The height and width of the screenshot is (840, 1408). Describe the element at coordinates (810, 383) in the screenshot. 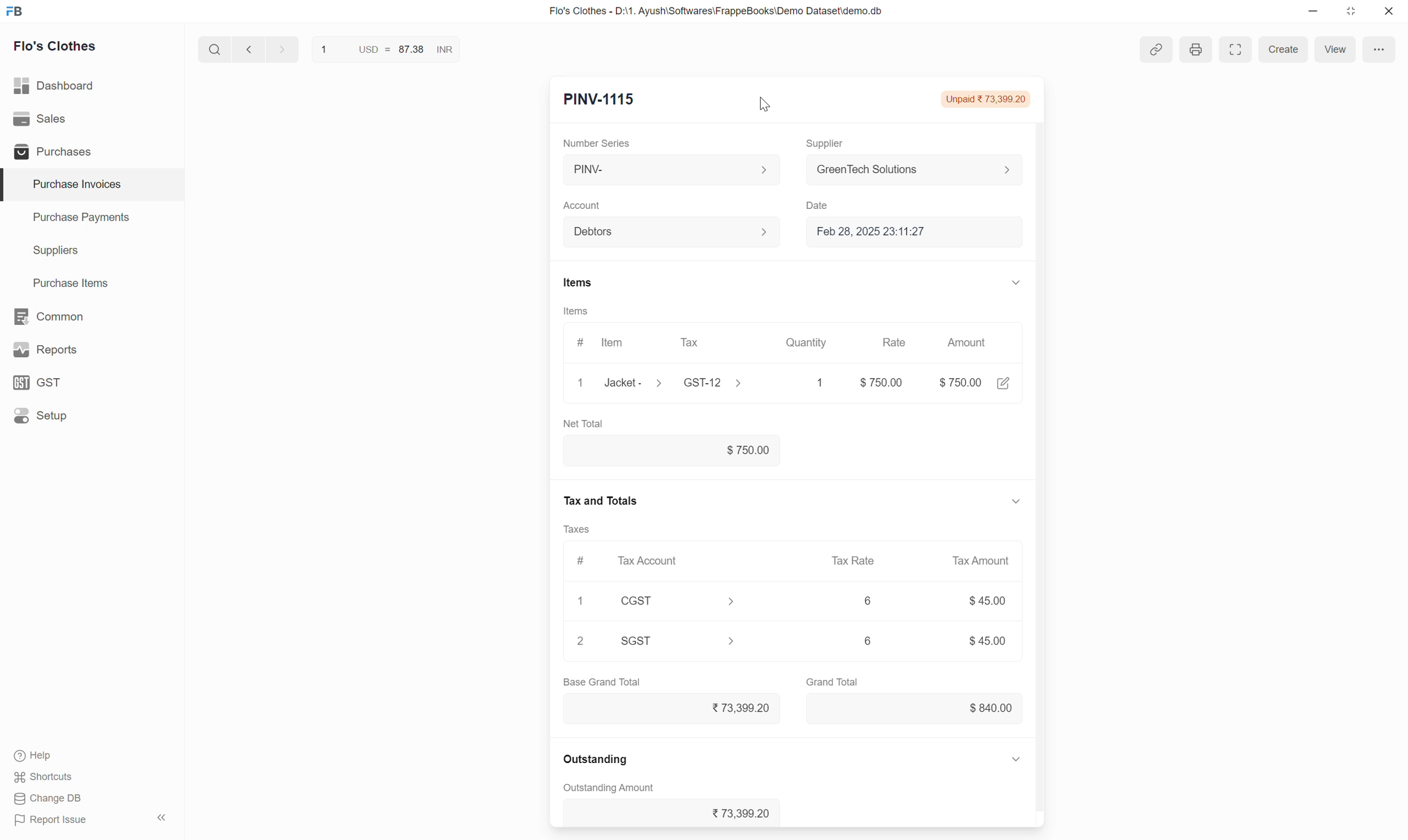

I see `1` at that location.